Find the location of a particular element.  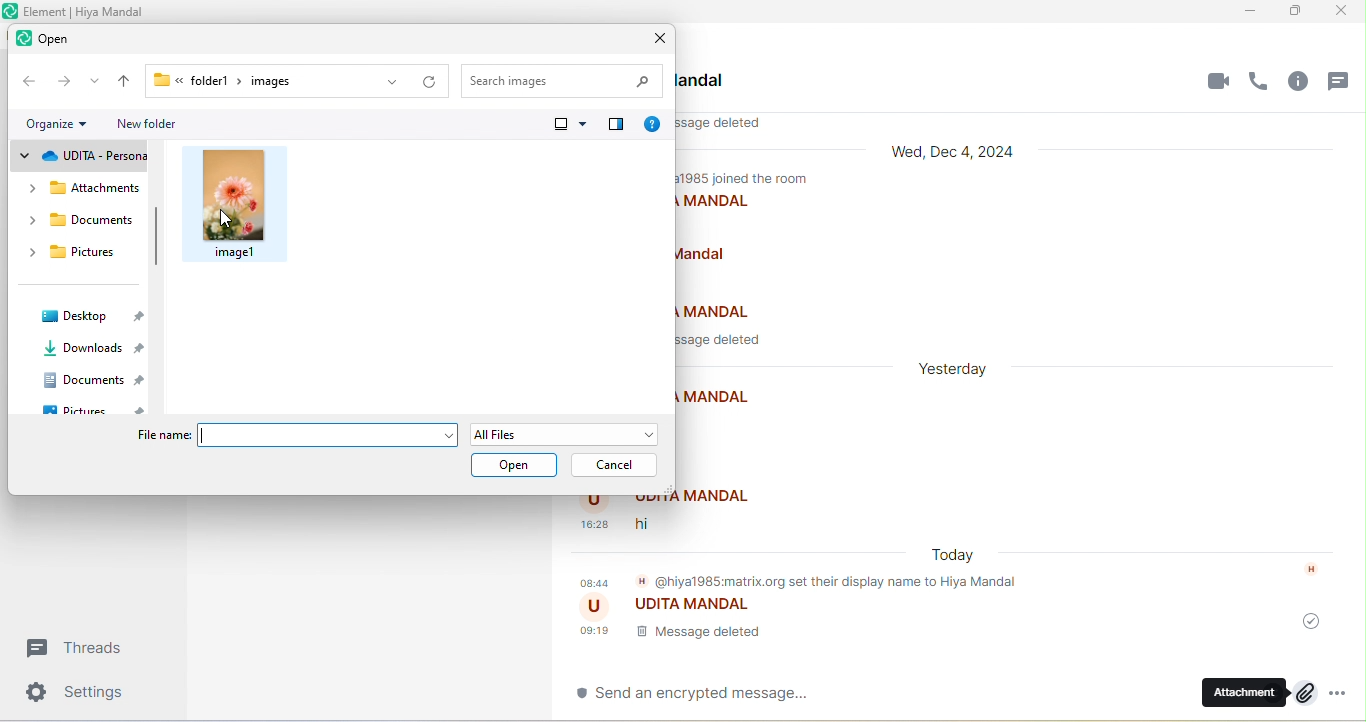

wed, dec 4,2024 is located at coordinates (961, 154).